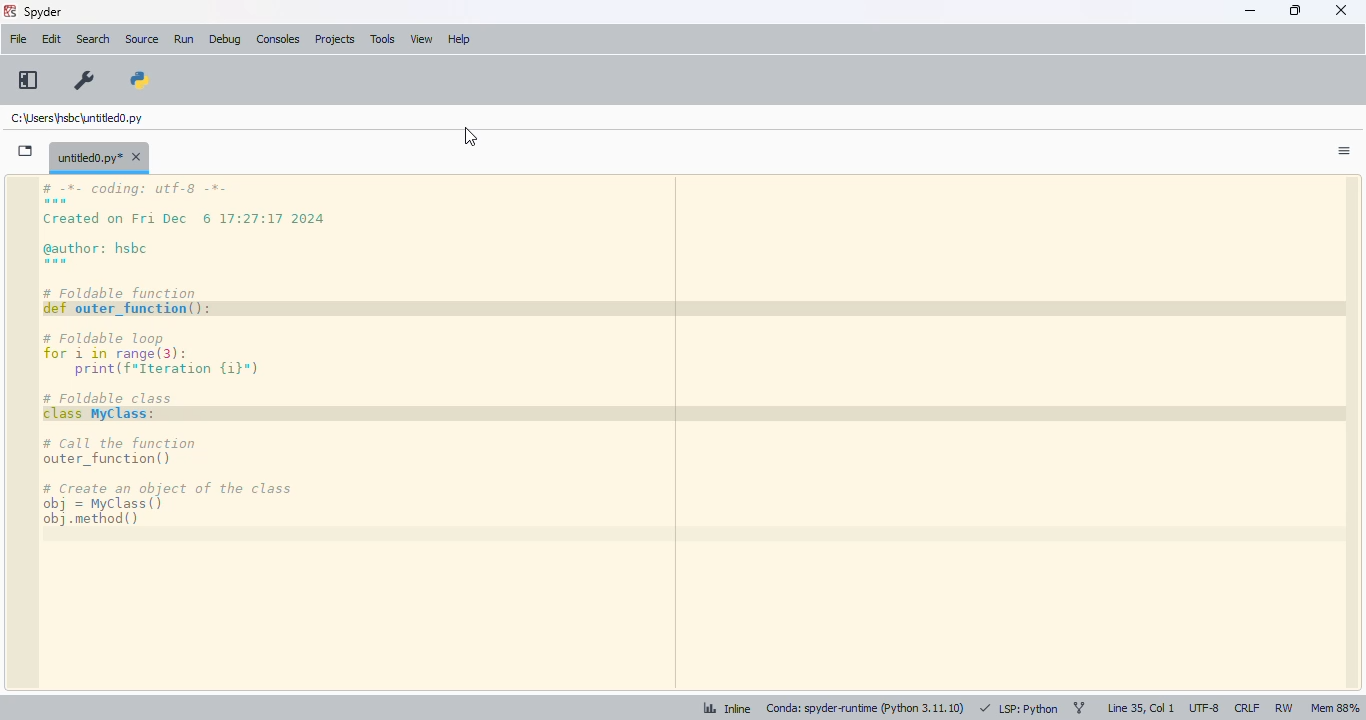  I want to click on LSP: Python, so click(1019, 708).